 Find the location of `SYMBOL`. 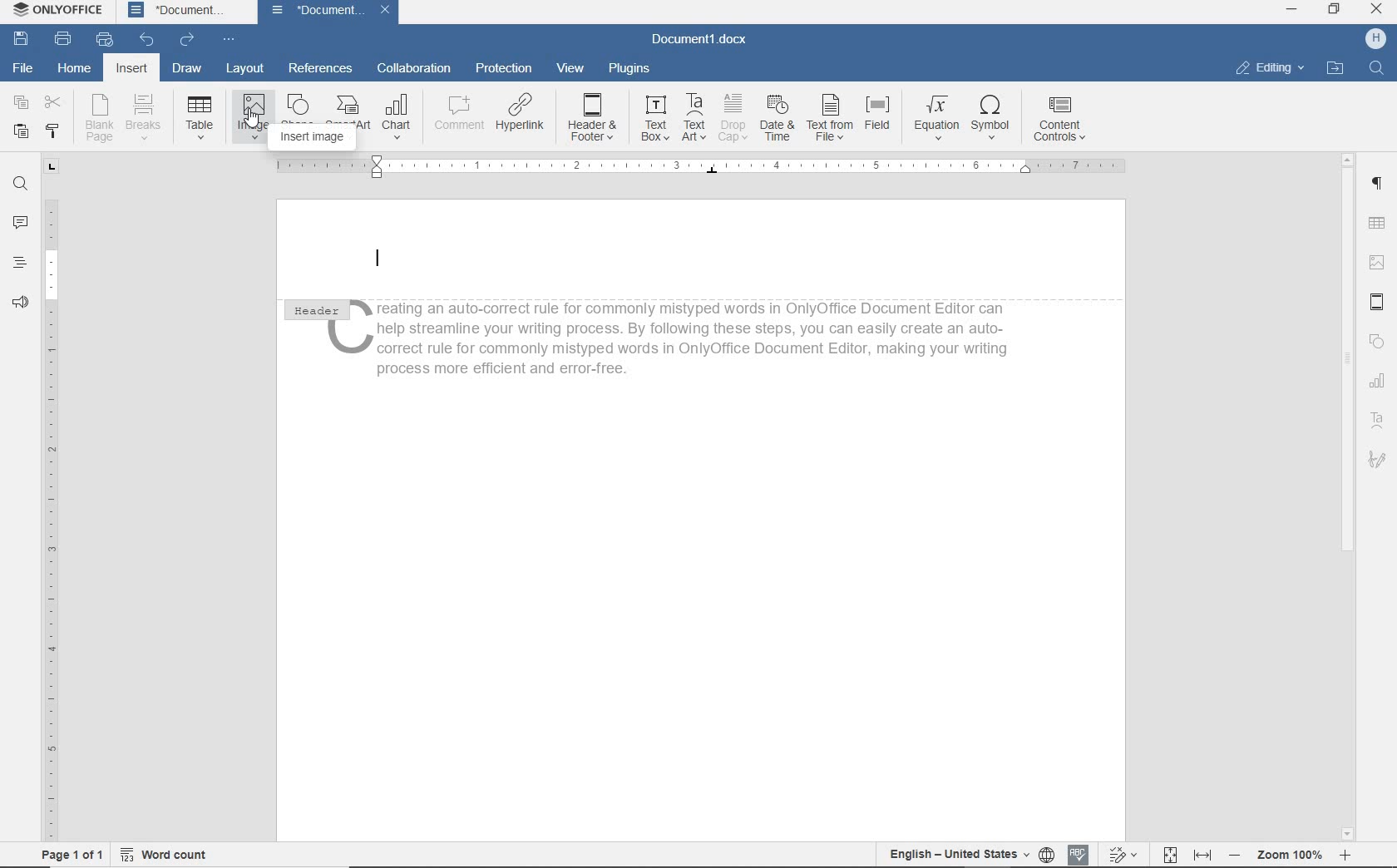

SYMBOL is located at coordinates (992, 121).